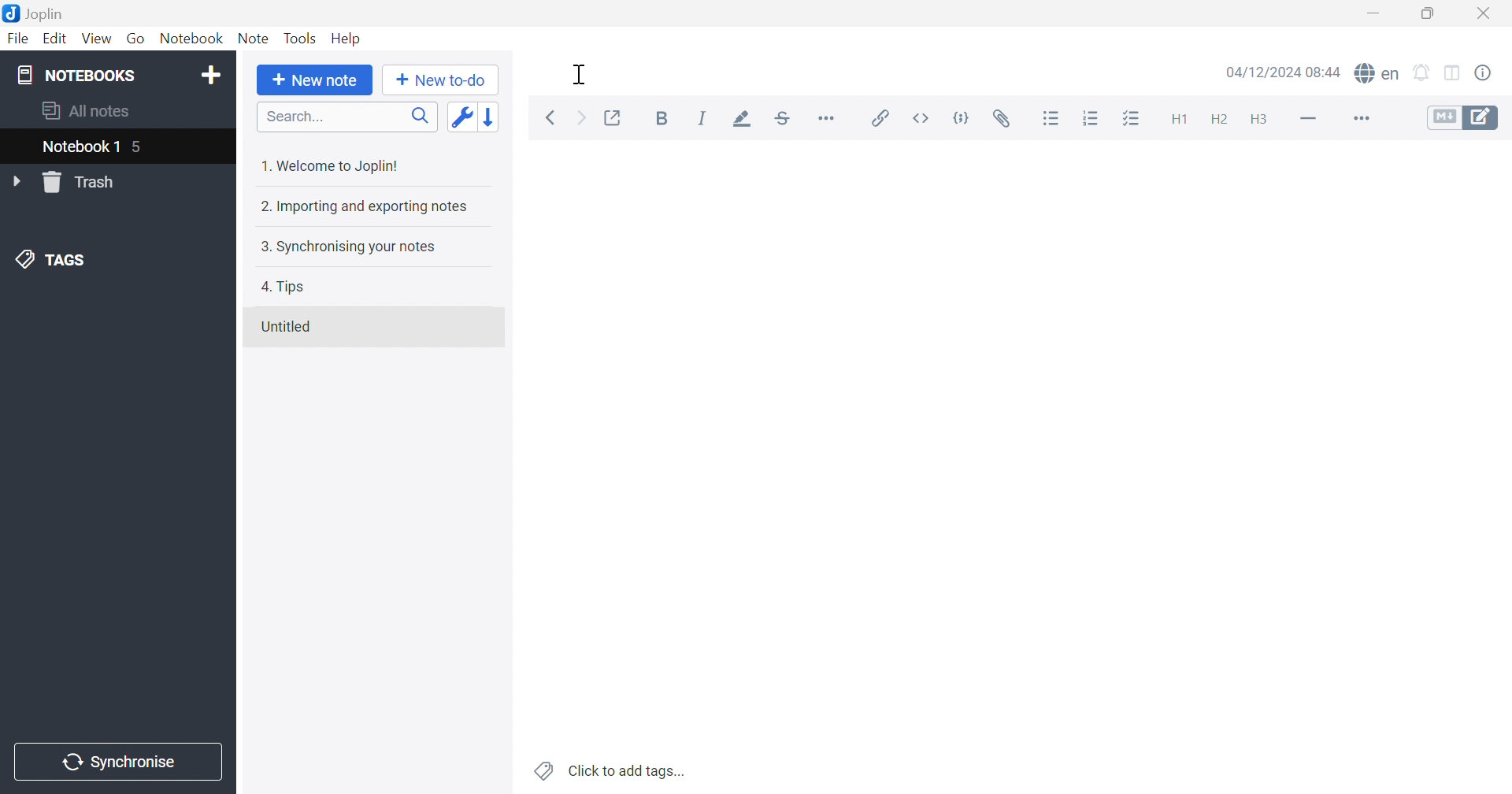 Image resolution: width=1512 pixels, height=794 pixels. Describe the element at coordinates (138, 39) in the screenshot. I see `Go` at that location.